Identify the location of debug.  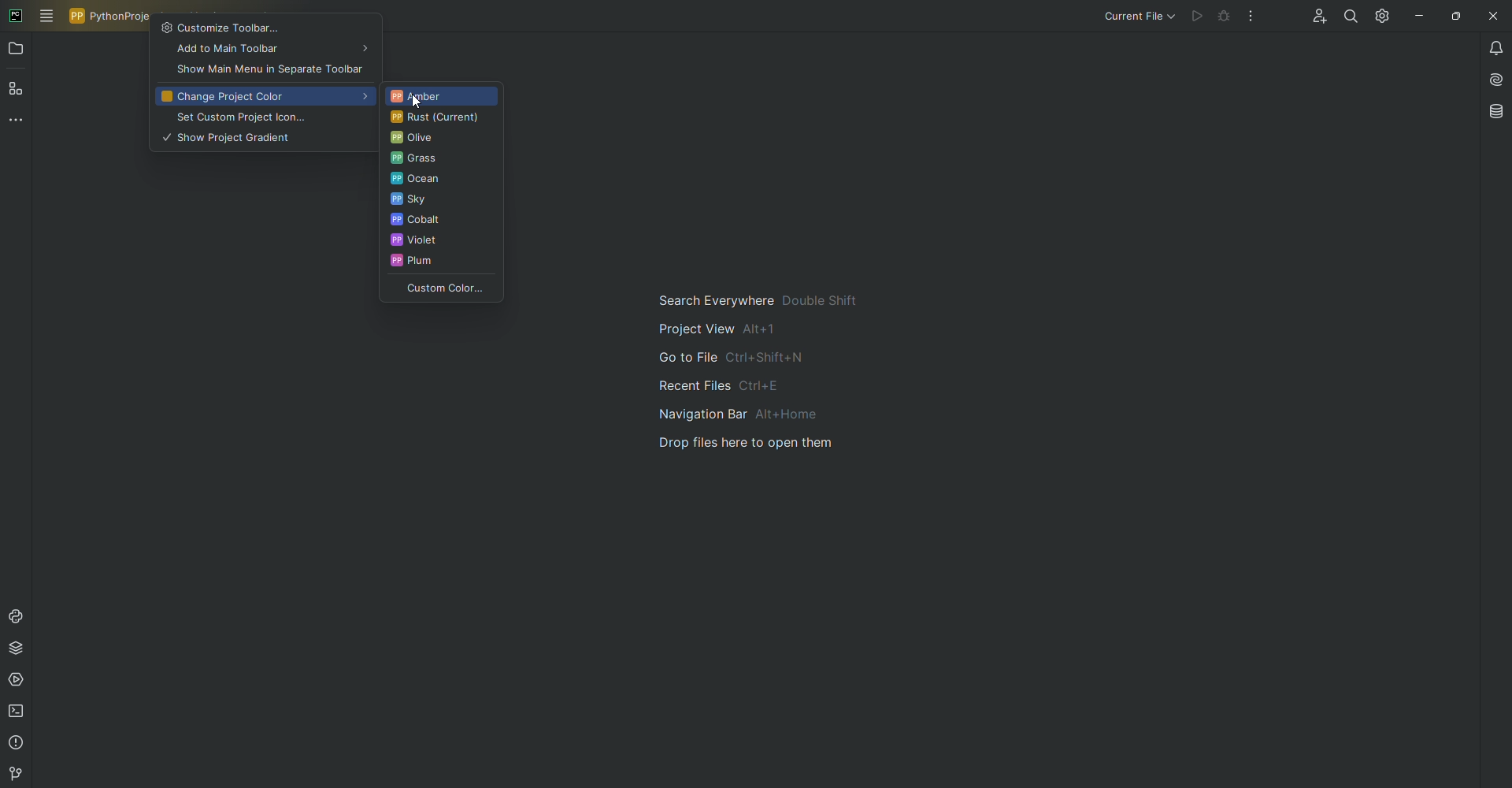
(1225, 16).